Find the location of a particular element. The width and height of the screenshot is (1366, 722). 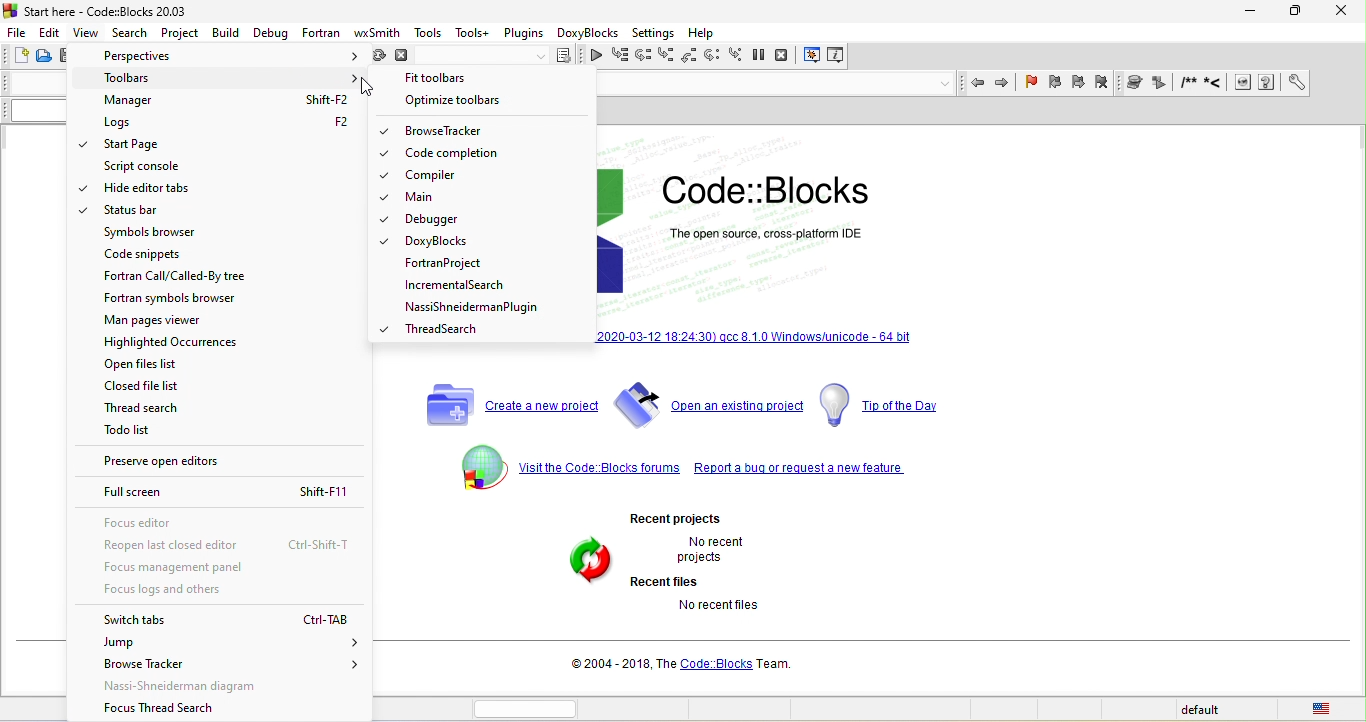

man pages viewer is located at coordinates (166, 324).